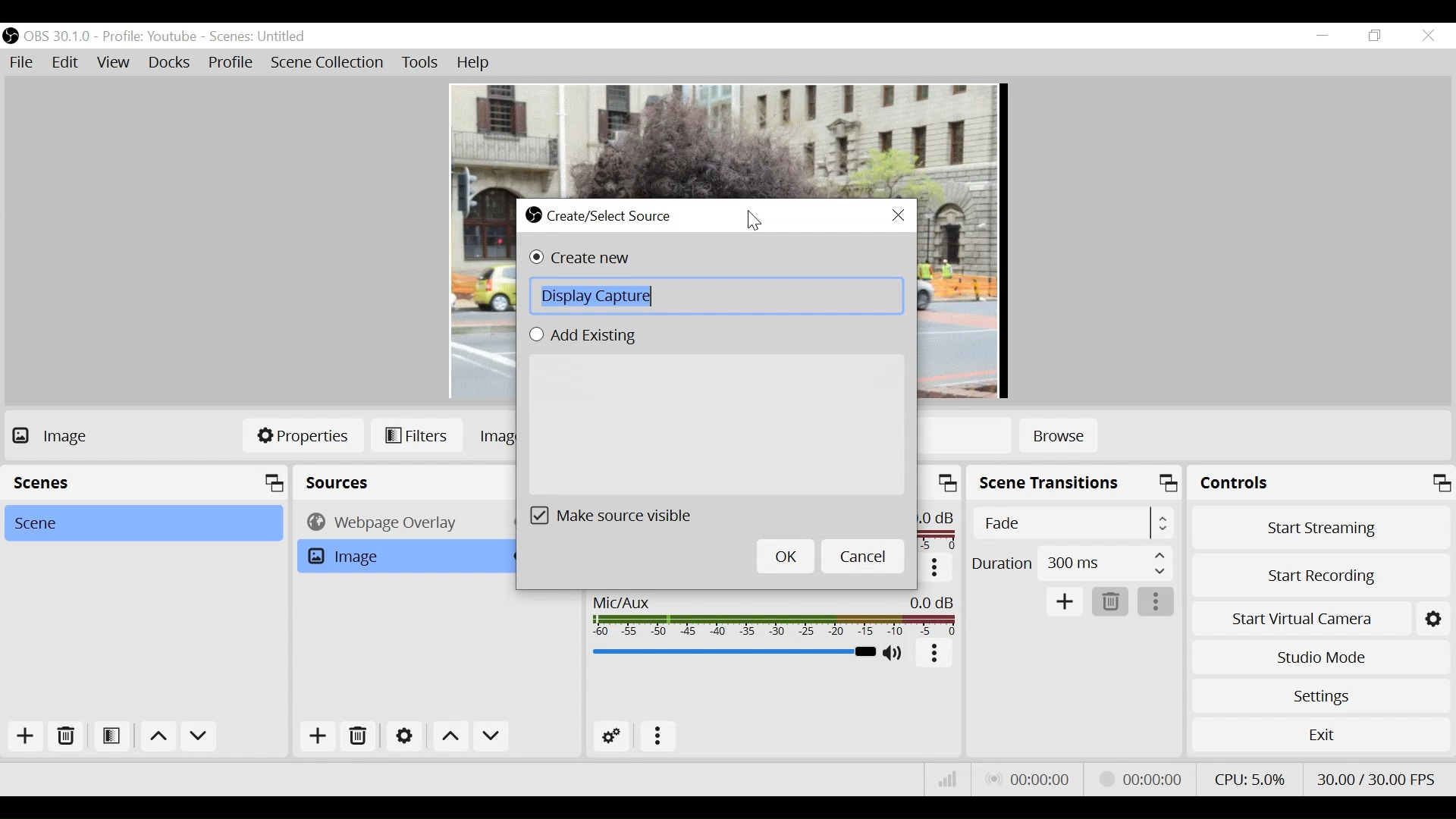 The image size is (1456, 819). Describe the element at coordinates (149, 37) in the screenshot. I see `Profile` at that location.